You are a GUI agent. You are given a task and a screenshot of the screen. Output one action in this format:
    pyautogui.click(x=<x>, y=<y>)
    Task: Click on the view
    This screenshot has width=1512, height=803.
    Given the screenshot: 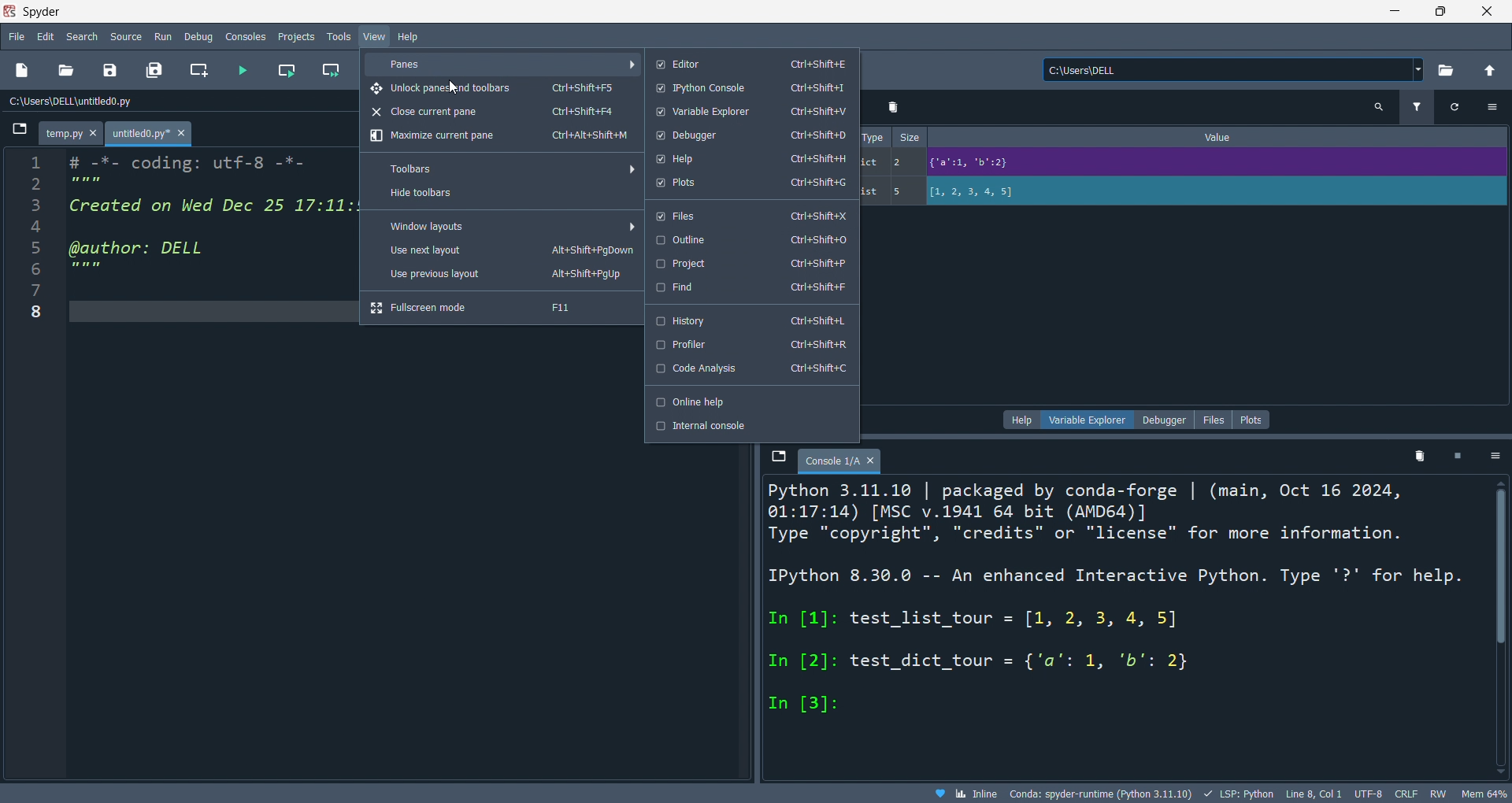 What is the action you would take?
    pyautogui.click(x=373, y=37)
    